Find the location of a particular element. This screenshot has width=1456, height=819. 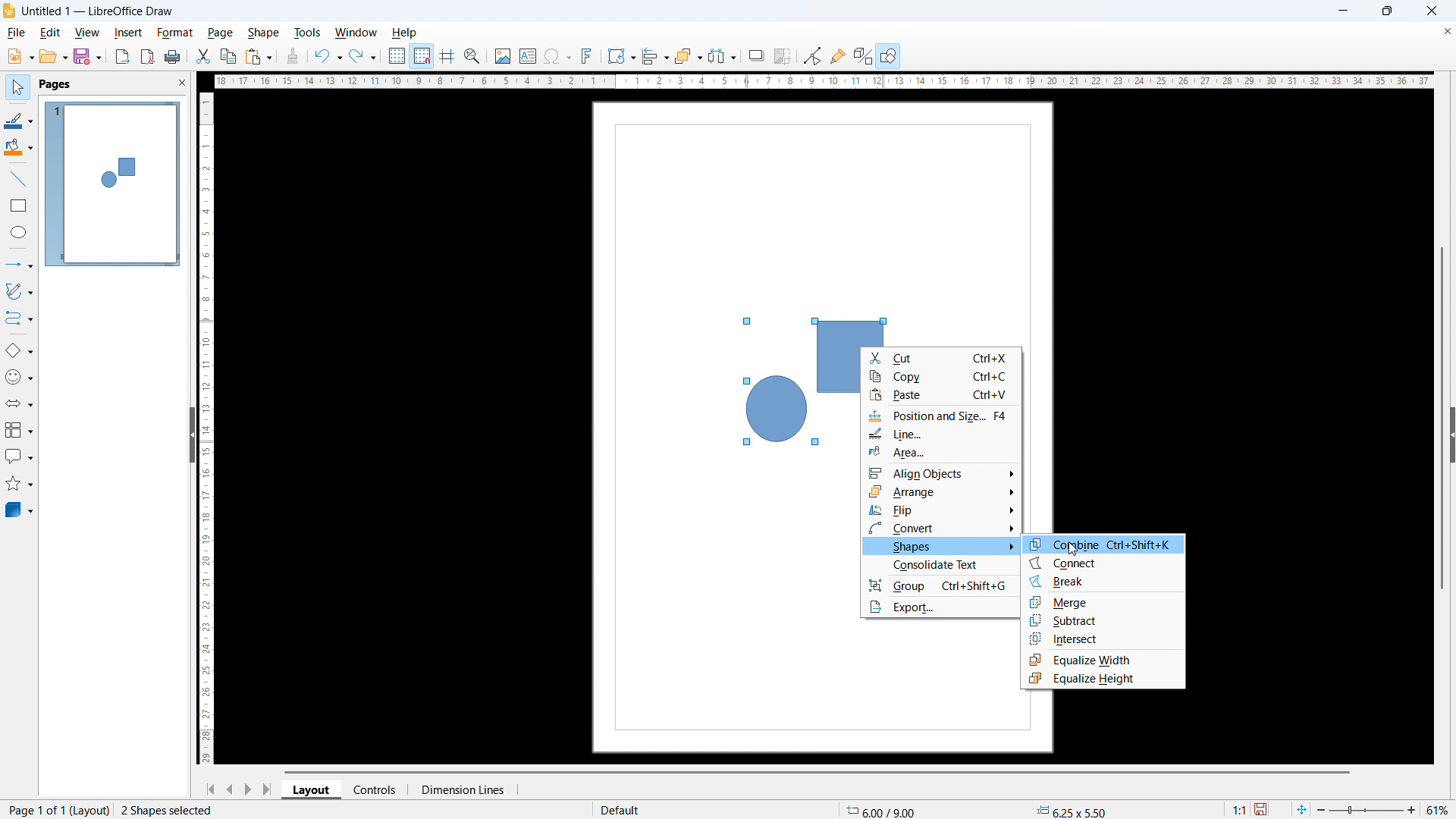

equalize width is located at coordinates (1103, 659).